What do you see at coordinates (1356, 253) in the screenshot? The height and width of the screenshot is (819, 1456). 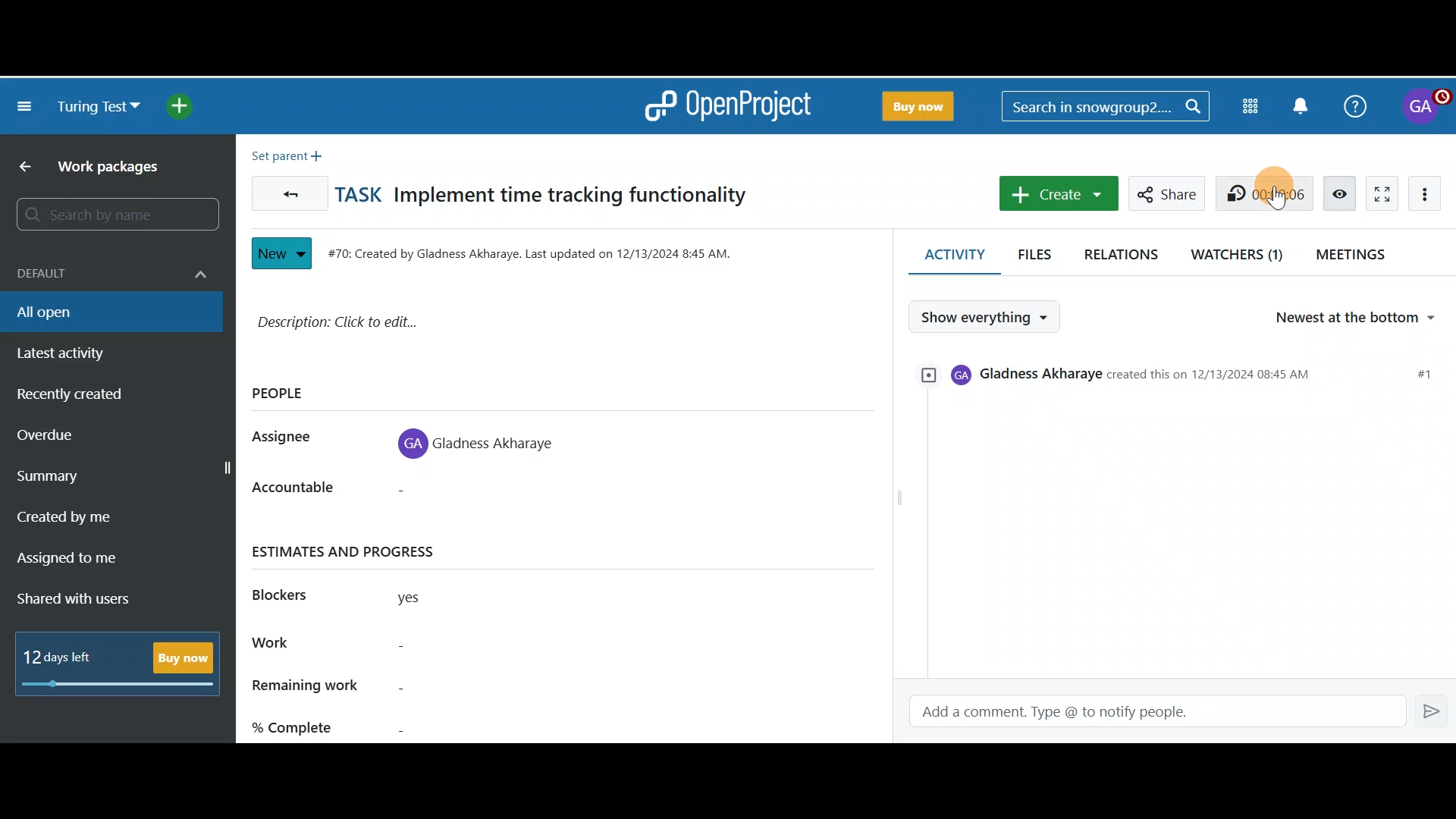 I see `Meetings` at bounding box center [1356, 253].